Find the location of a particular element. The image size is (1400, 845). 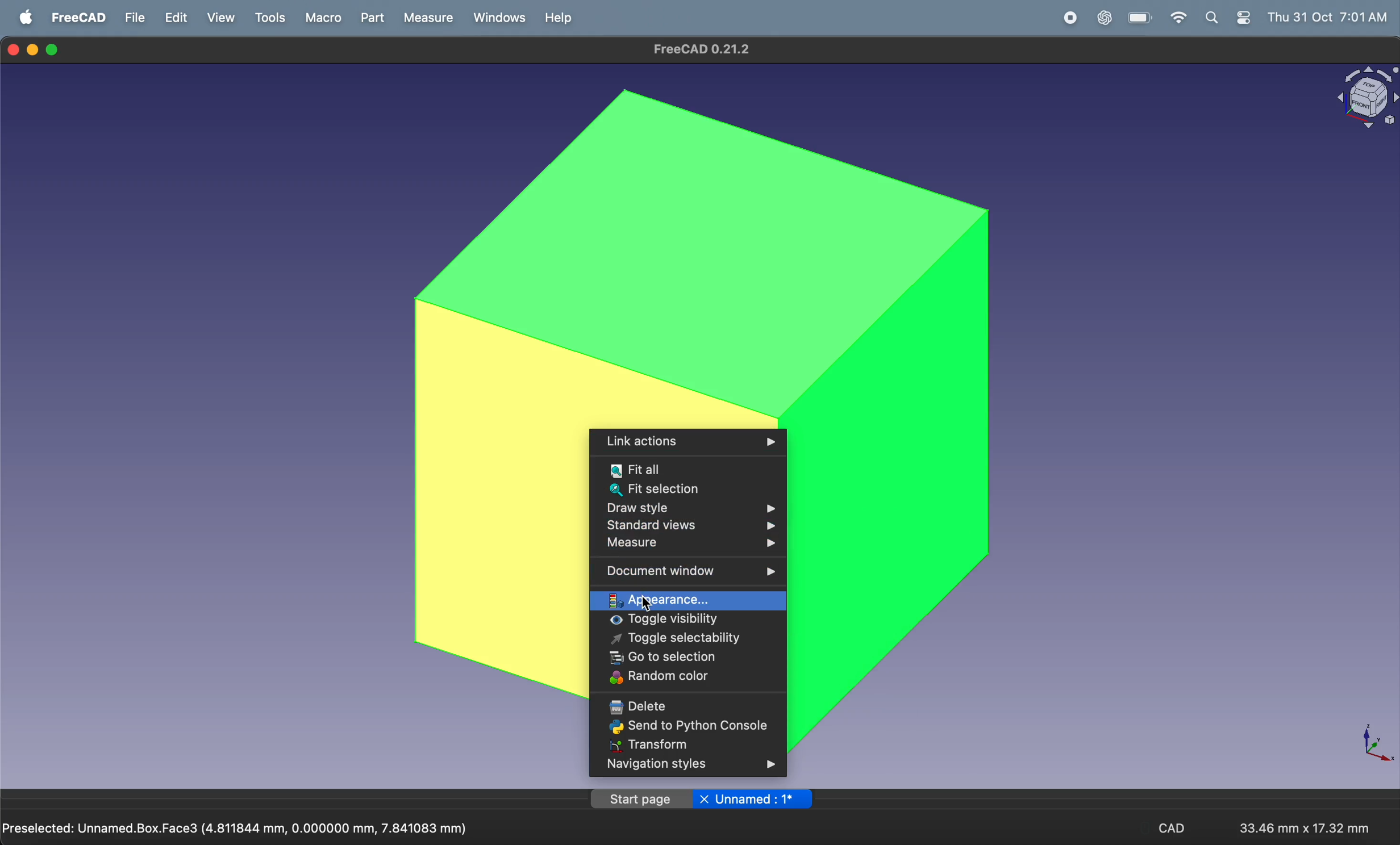

apperance is located at coordinates (687, 597).